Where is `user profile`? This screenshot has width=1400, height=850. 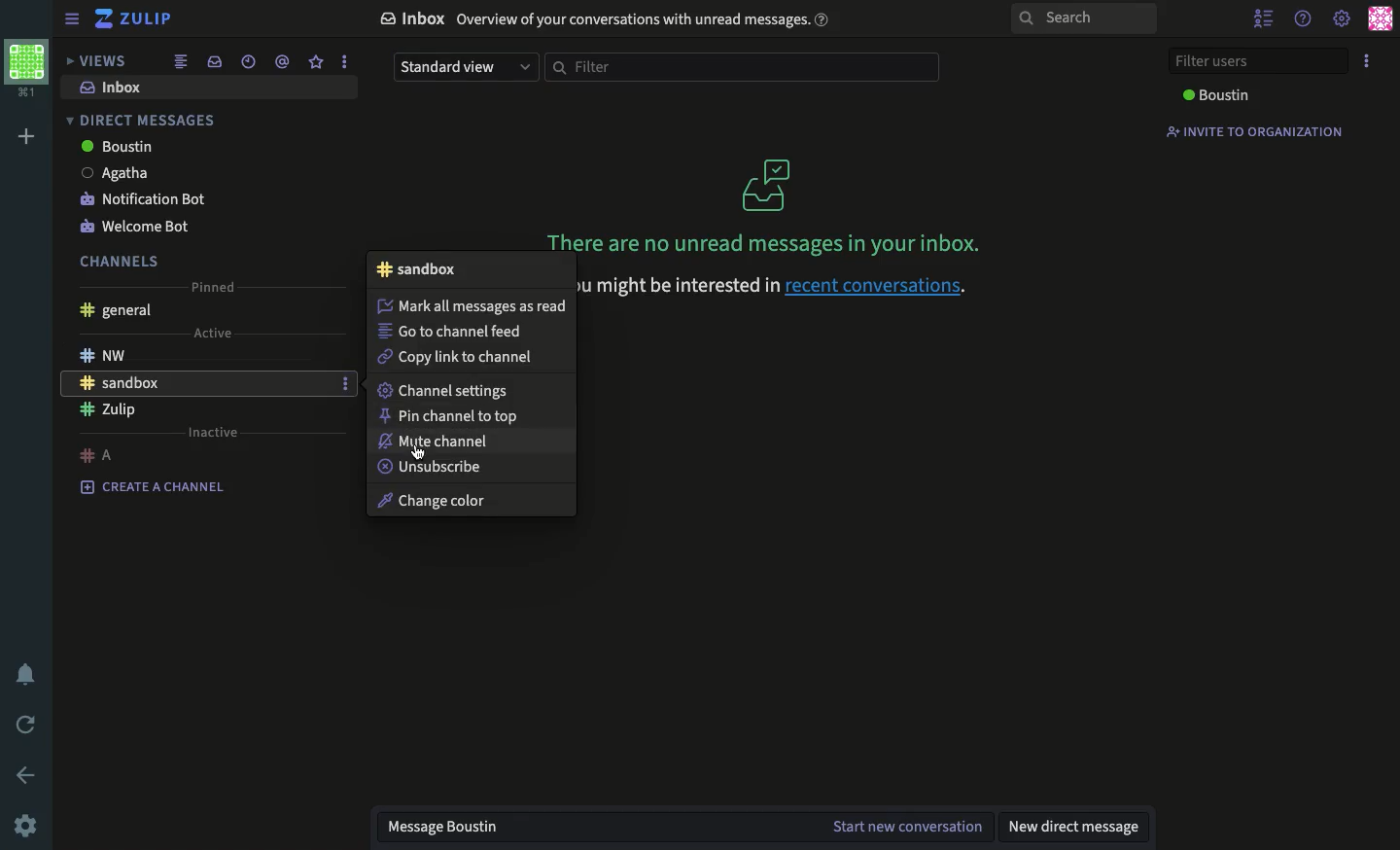 user profile is located at coordinates (1382, 17).